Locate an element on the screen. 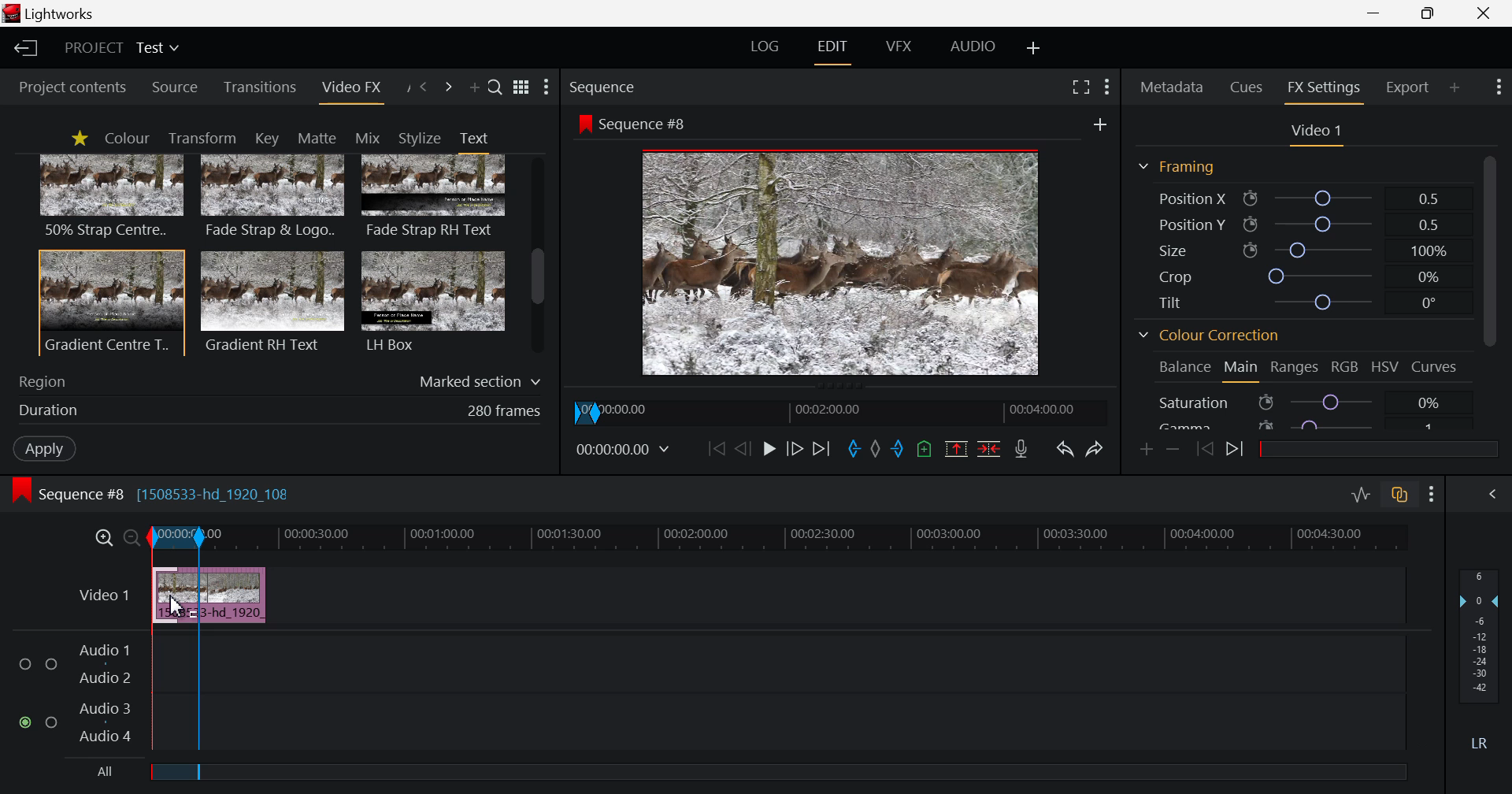 The height and width of the screenshot is (794, 1512). Sequence #8 is located at coordinates (639, 122).